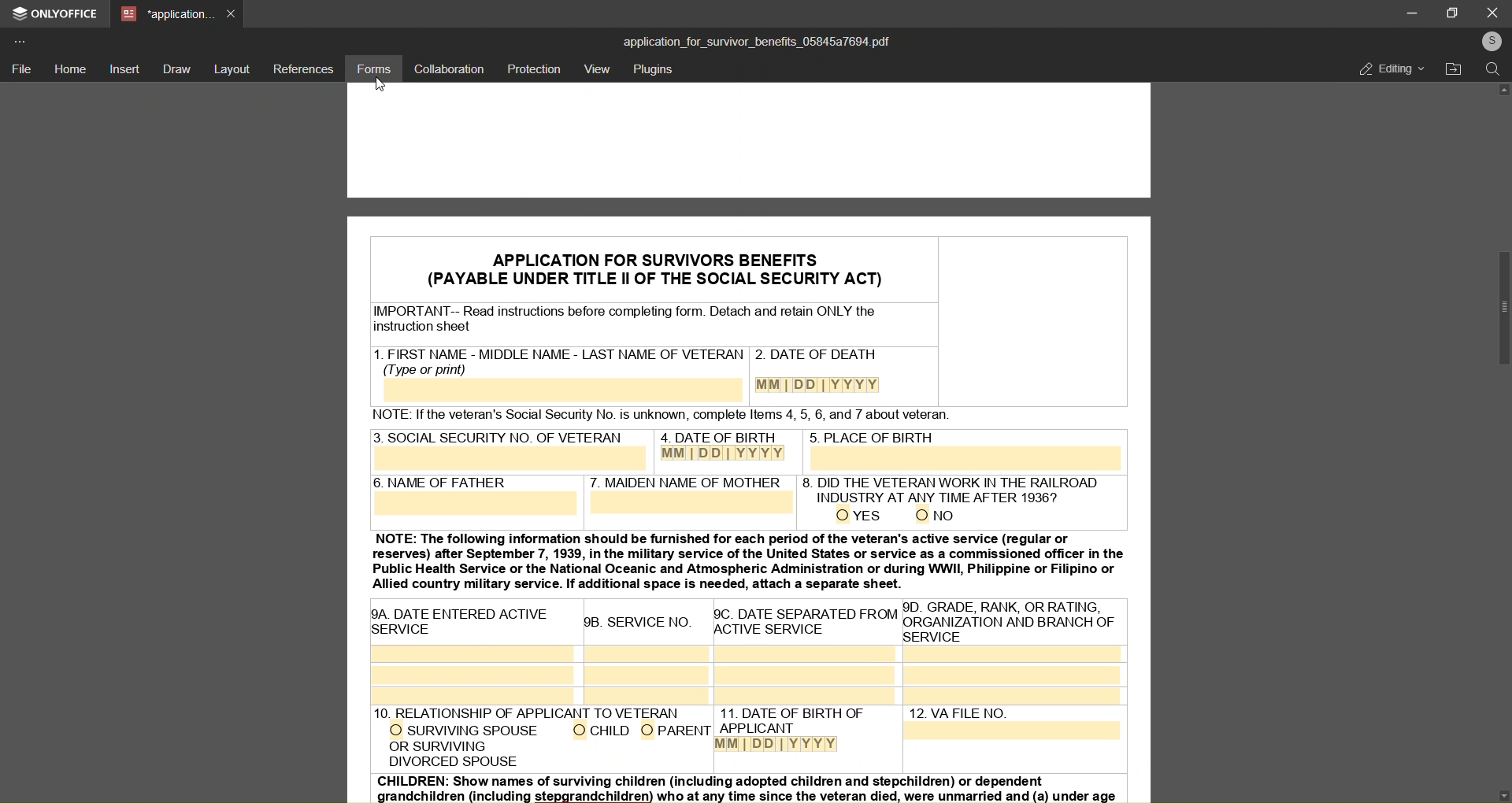 The width and height of the screenshot is (1512, 803). What do you see at coordinates (232, 13) in the screenshot?
I see `close tab` at bounding box center [232, 13].